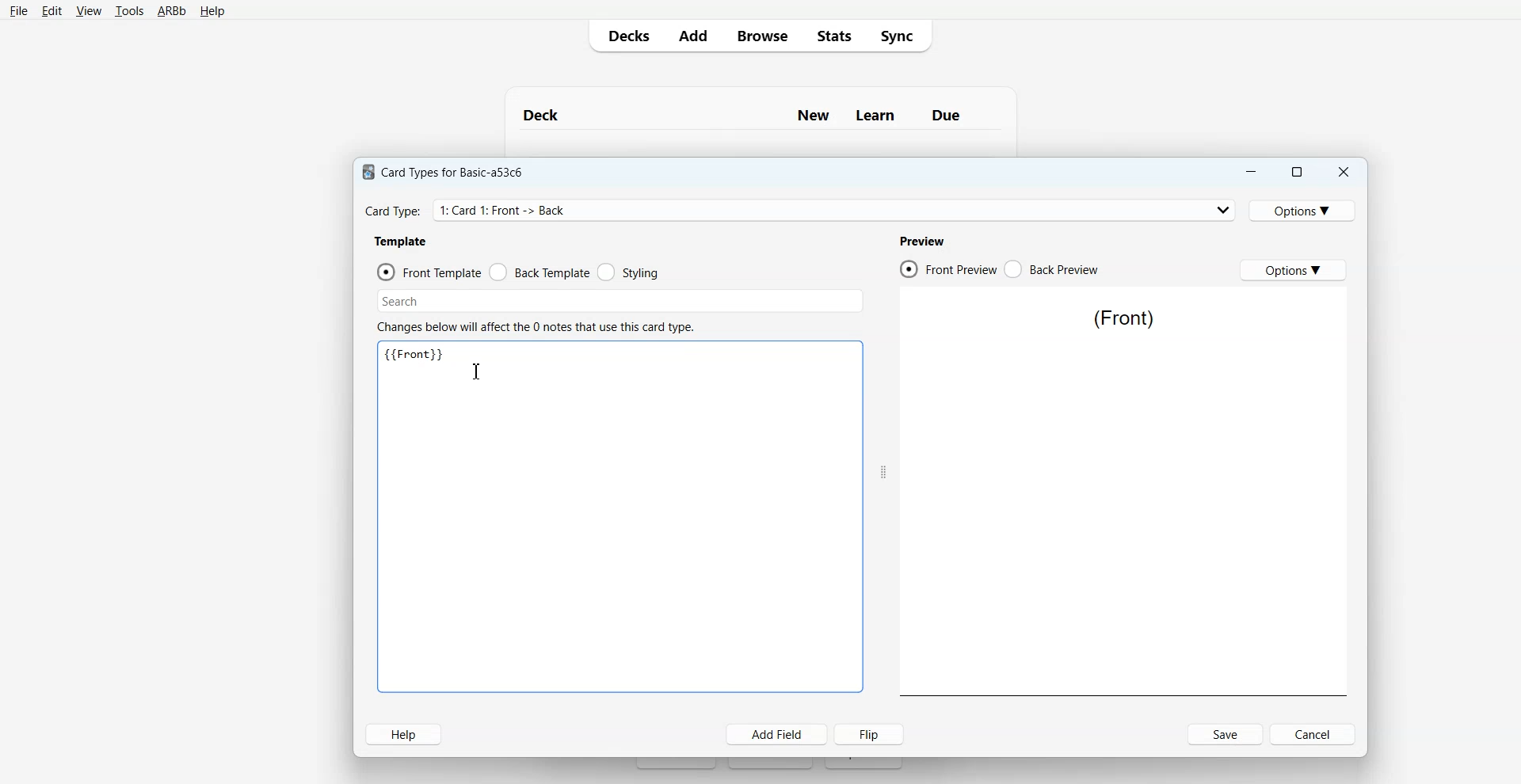 This screenshot has width=1521, height=784. I want to click on Changes below will affect the 0 notes that use this card type, so click(542, 327).